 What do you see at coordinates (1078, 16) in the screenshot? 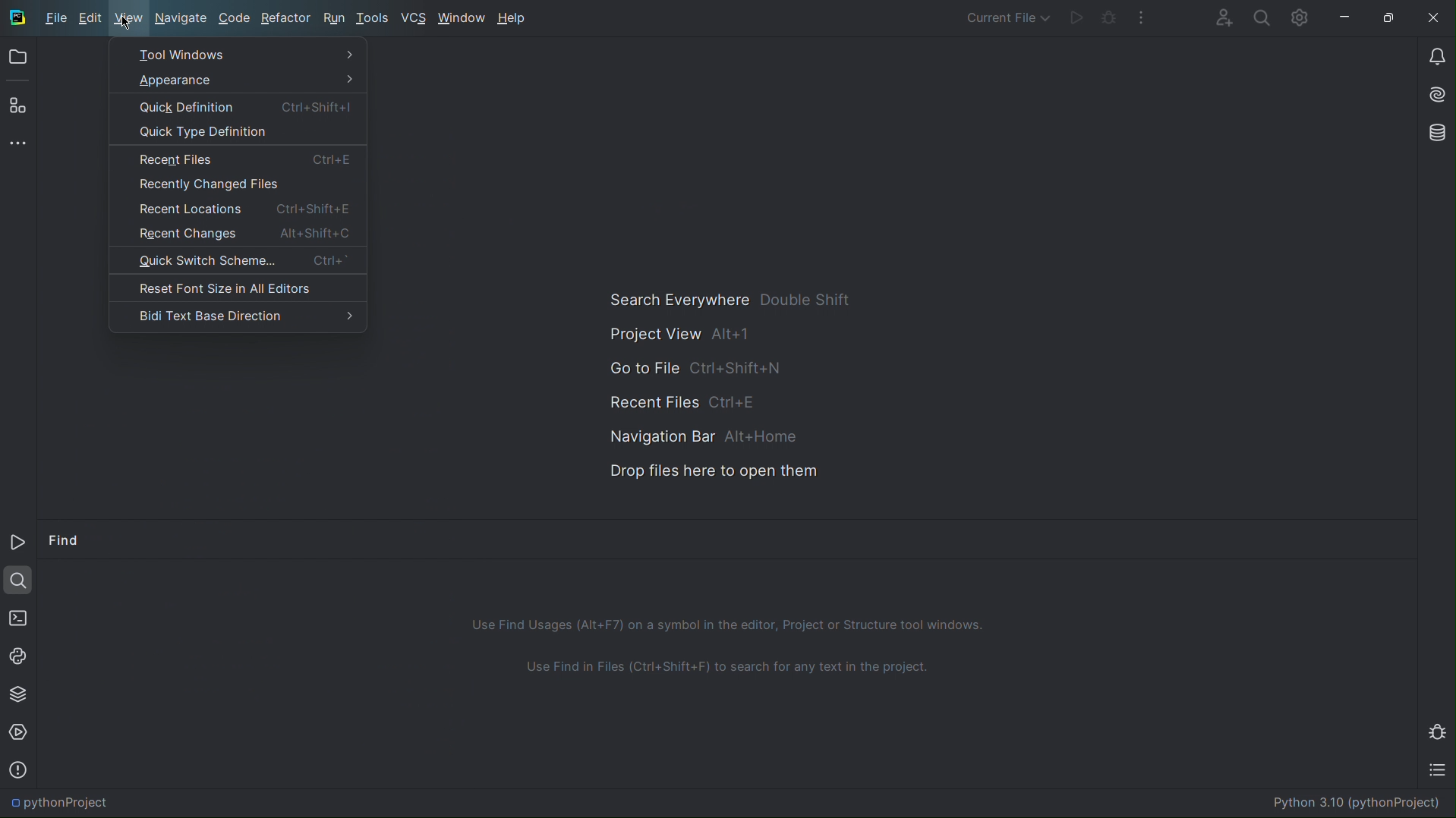
I see `Run` at bounding box center [1078, 16].